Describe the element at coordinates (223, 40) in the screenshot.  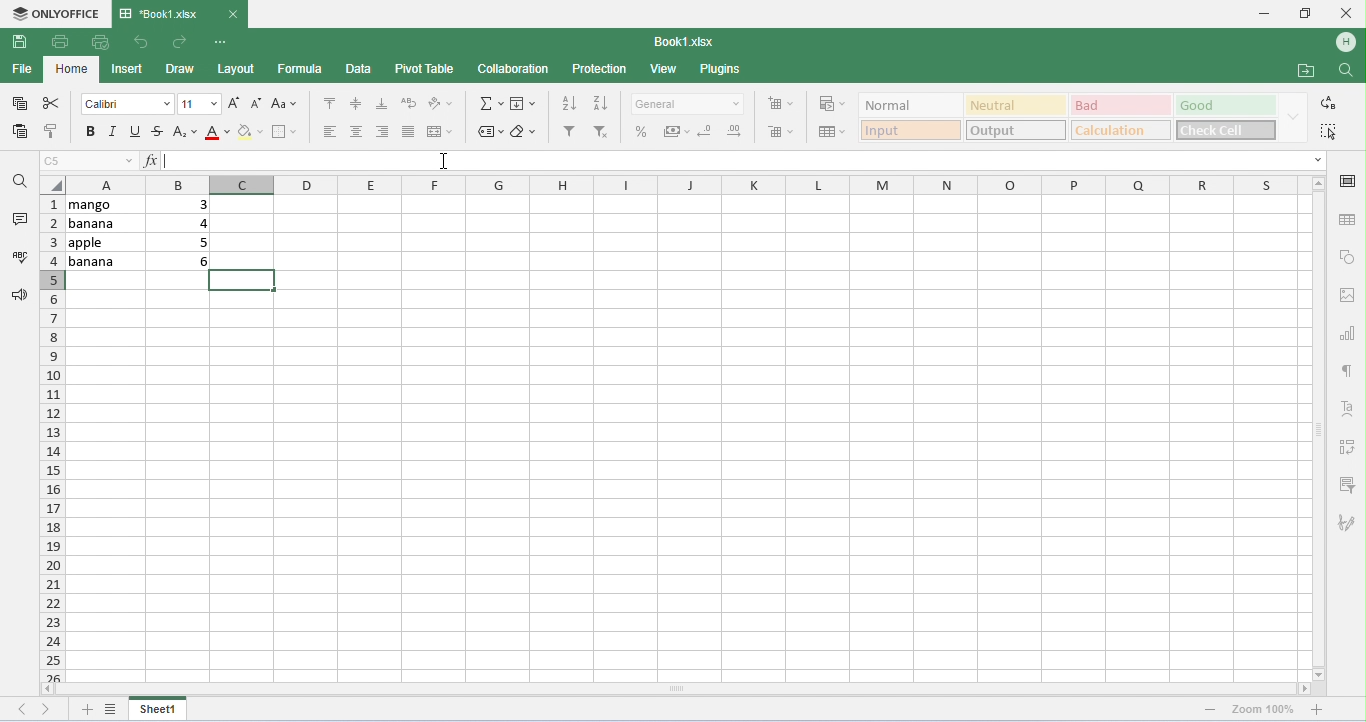
I see `customize quick access tool bar` at that location.